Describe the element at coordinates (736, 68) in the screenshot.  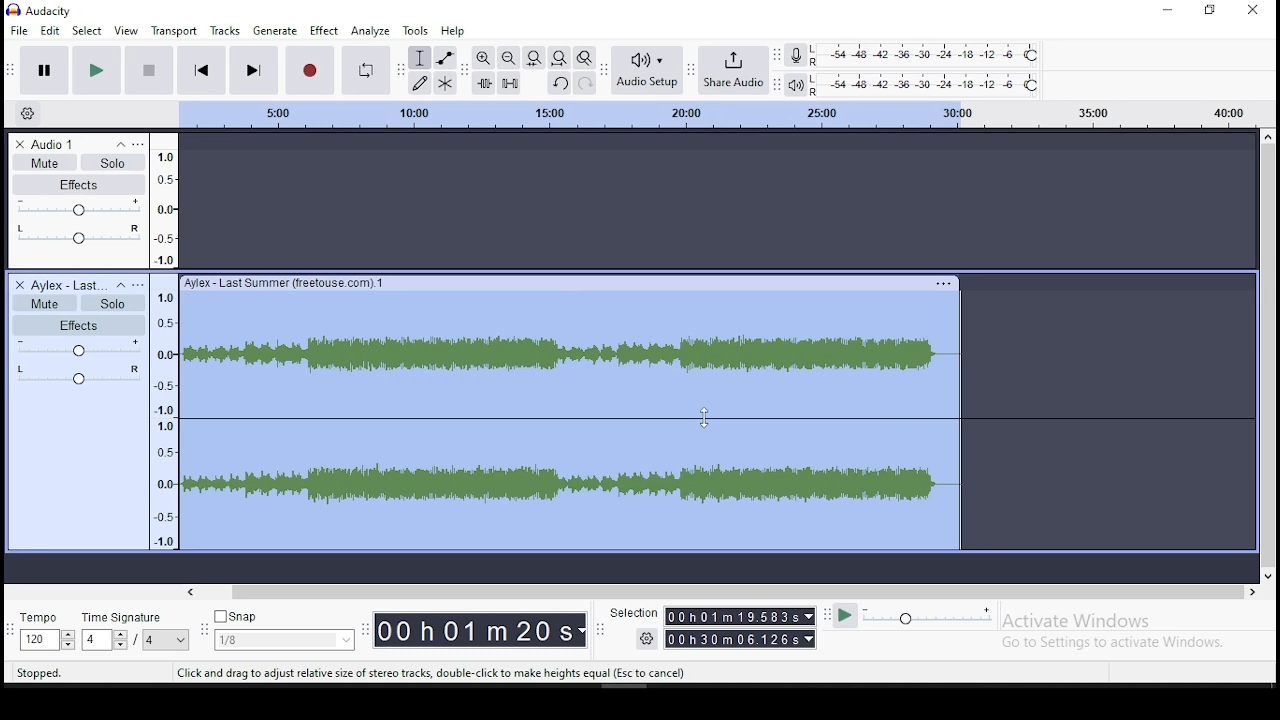
I see `share audio` at that location.